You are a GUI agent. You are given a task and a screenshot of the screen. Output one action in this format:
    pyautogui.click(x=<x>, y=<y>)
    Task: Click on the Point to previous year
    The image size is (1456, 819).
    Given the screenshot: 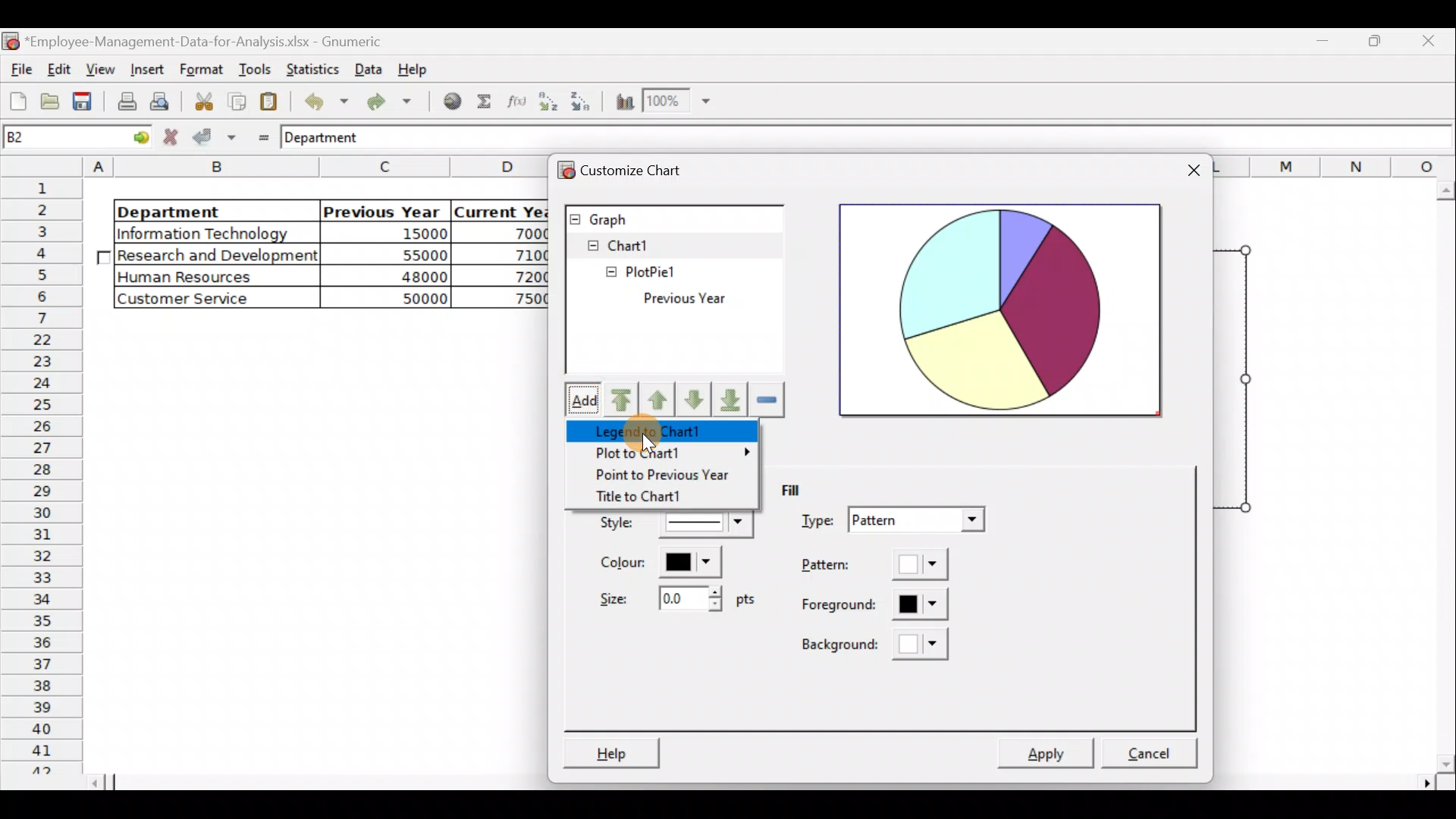 What is the action you would take?
    pyautogui.click(x=664, y=476)
    